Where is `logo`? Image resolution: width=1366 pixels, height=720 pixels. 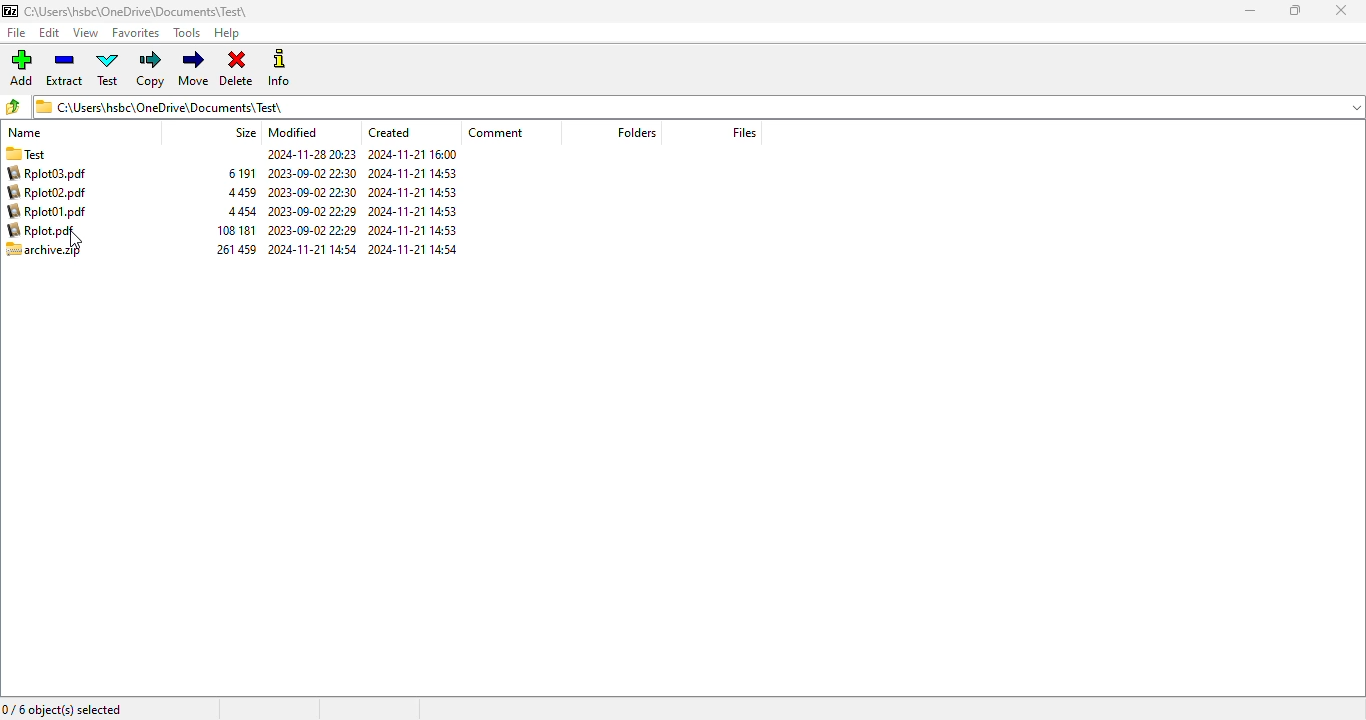 logo is located at coordinates (9, 10).